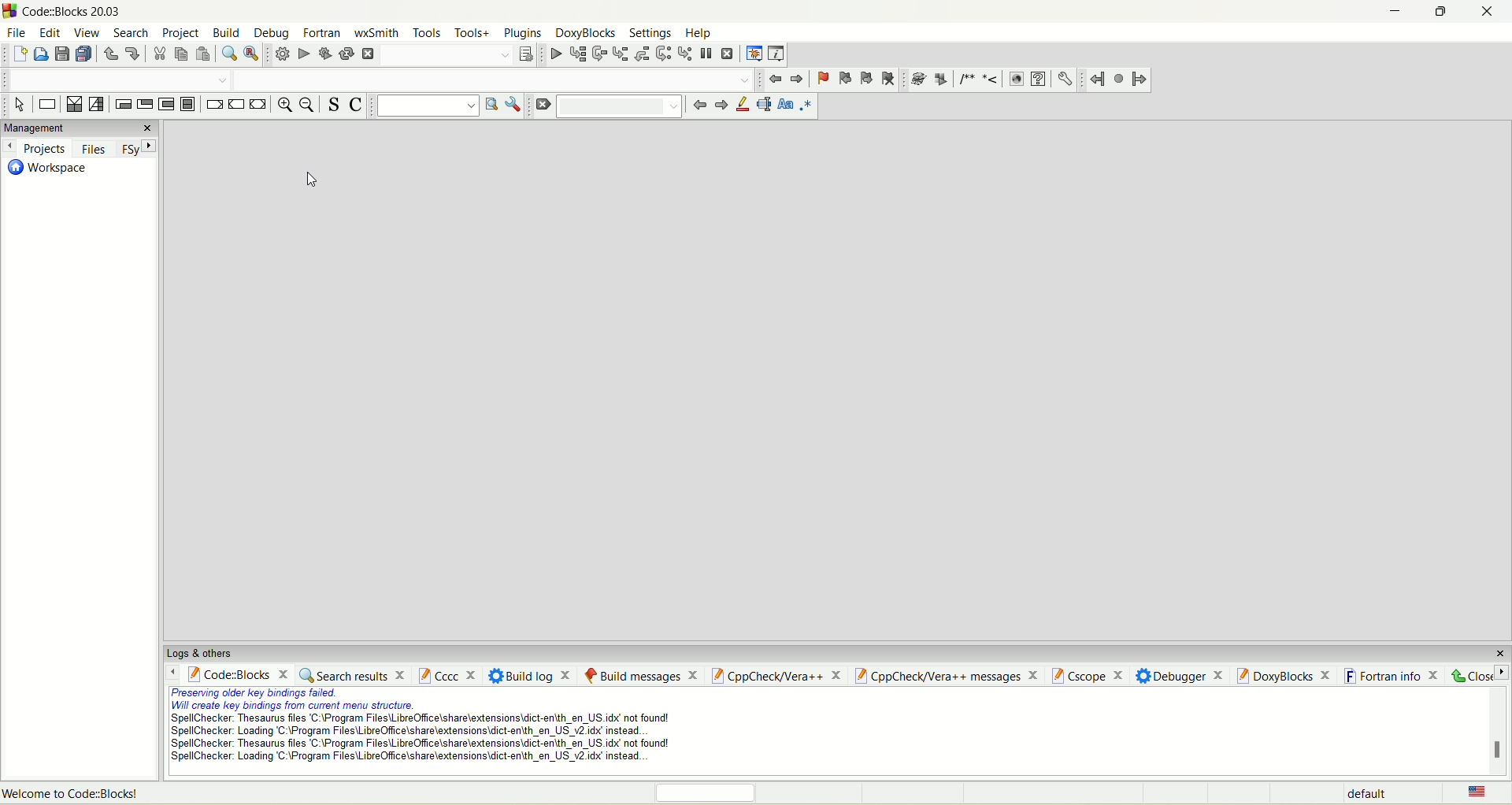 The height and width of the screenshot is (805, 1512). What do you see at coordinates (490, 105) in the screenshot?
I see `run search` at bounding box center [490, 105].